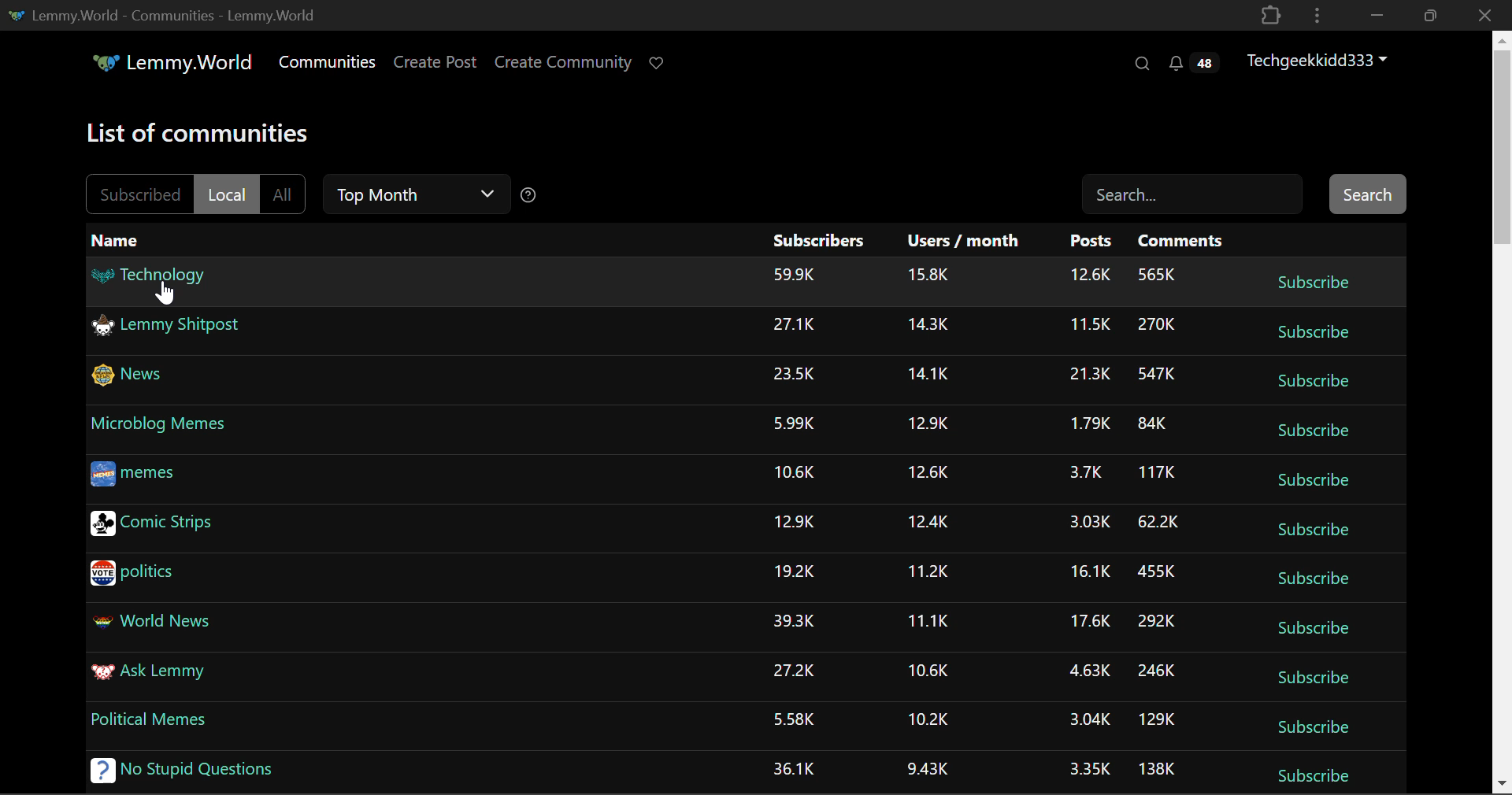 This screenshot has height=795, width=1512. Describe the element at coordinates (928, 275) in the screenshot. I see `Amount ` at that location.